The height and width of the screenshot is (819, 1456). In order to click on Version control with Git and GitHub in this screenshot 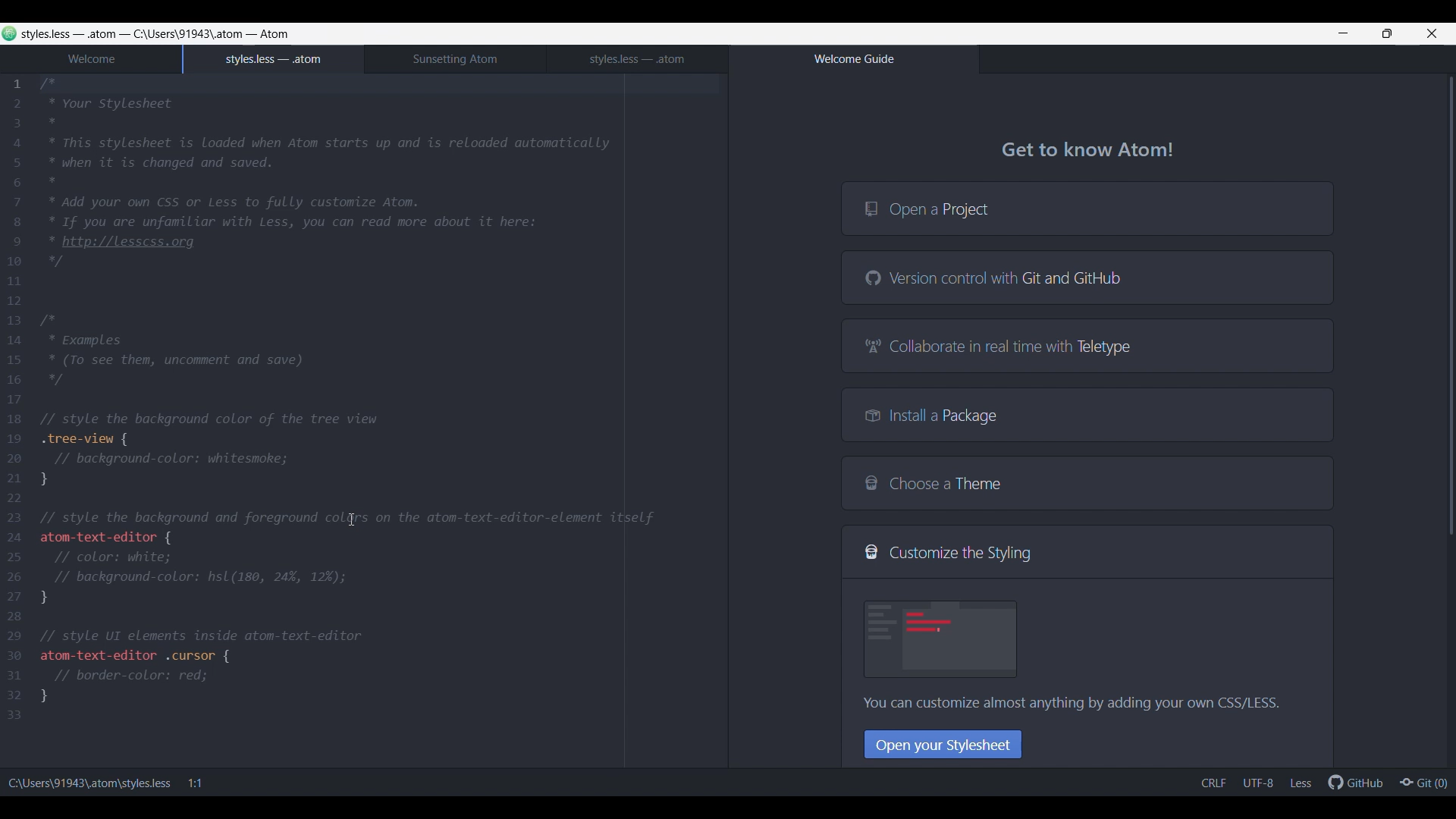, I will do `click(1087, 277)`.